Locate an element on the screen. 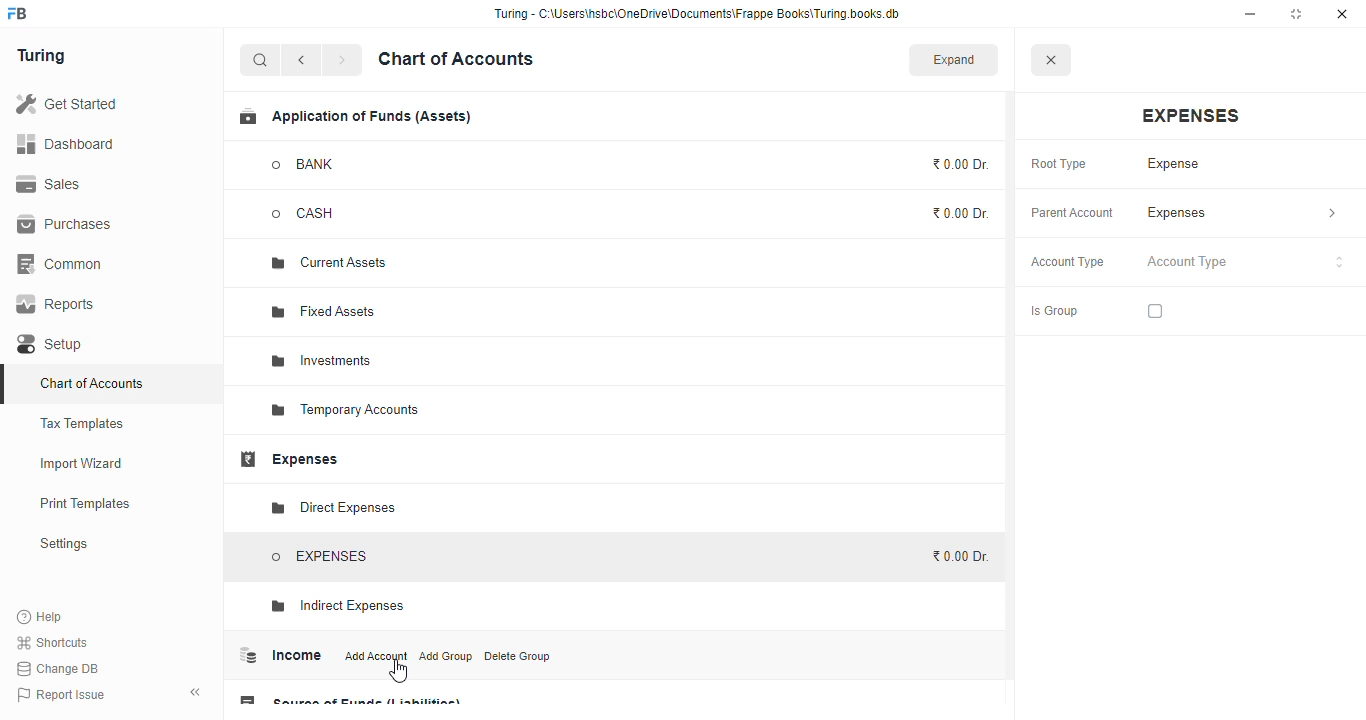 The width and height of the screenshot is (1366, 720). turing is located at coordinates (40, 56).